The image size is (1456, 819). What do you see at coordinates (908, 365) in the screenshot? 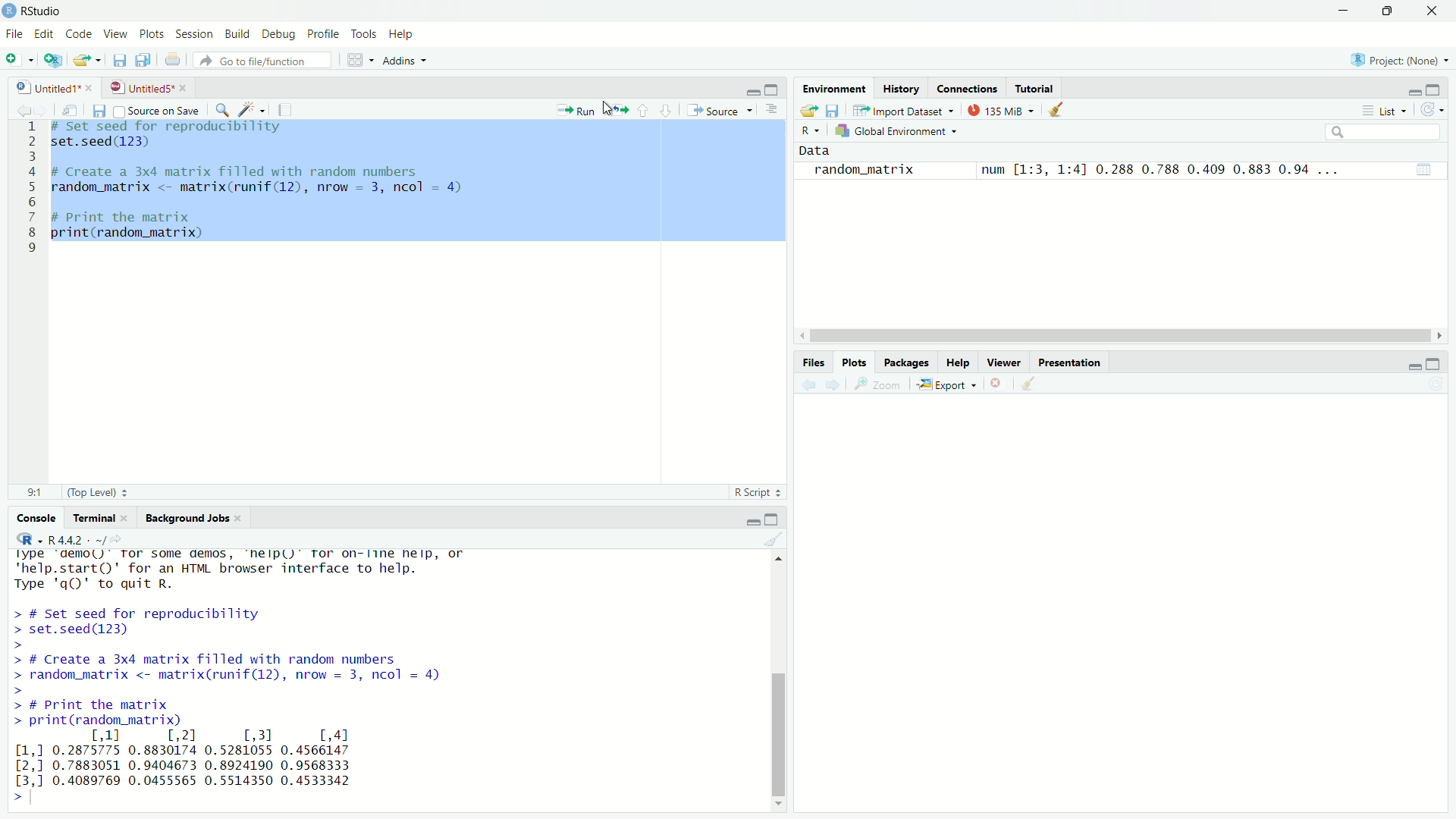
I see `Packages` at bounding box center [908, 365].